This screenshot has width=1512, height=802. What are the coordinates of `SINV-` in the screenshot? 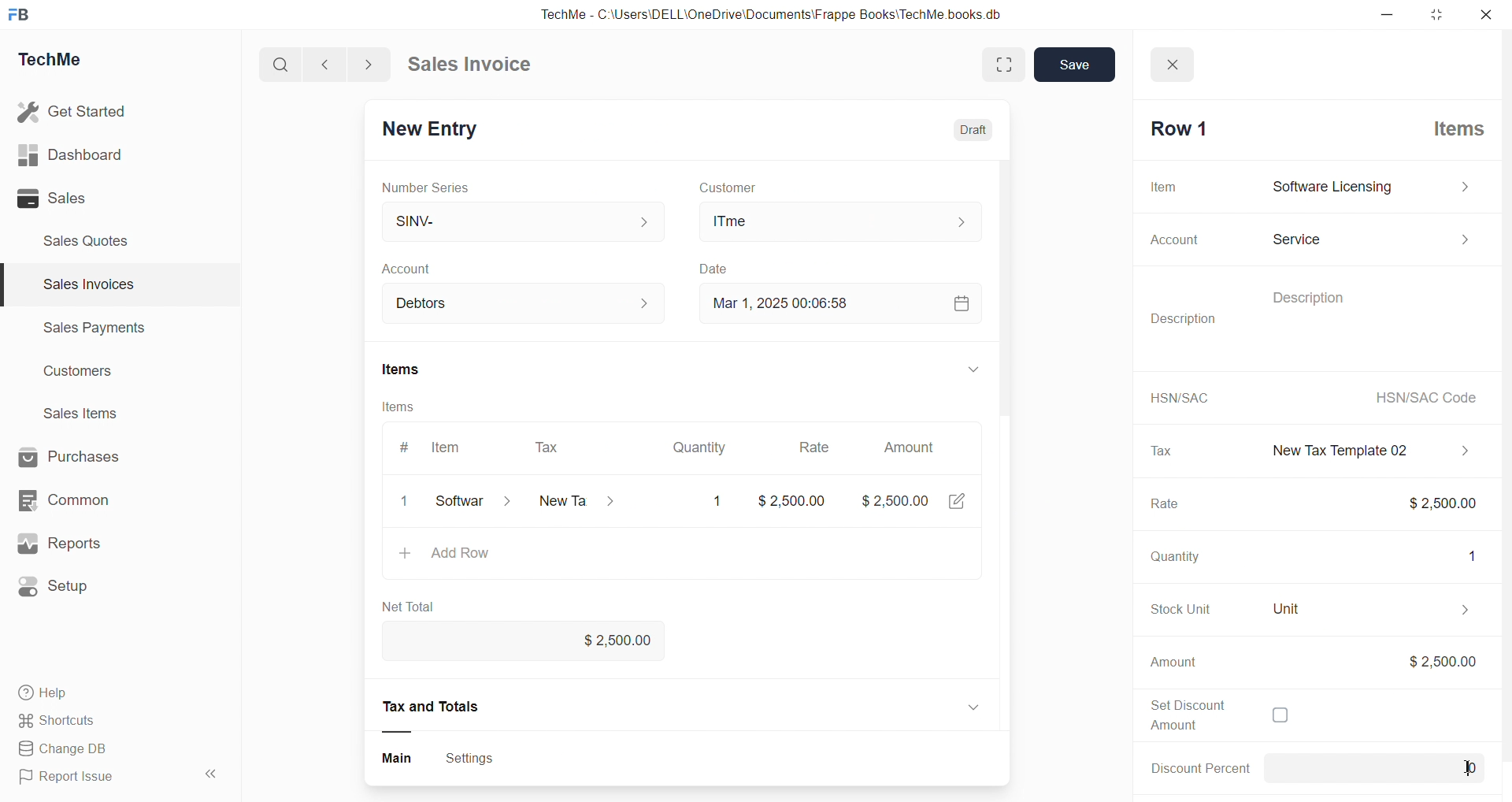 It's located at (513, 218).